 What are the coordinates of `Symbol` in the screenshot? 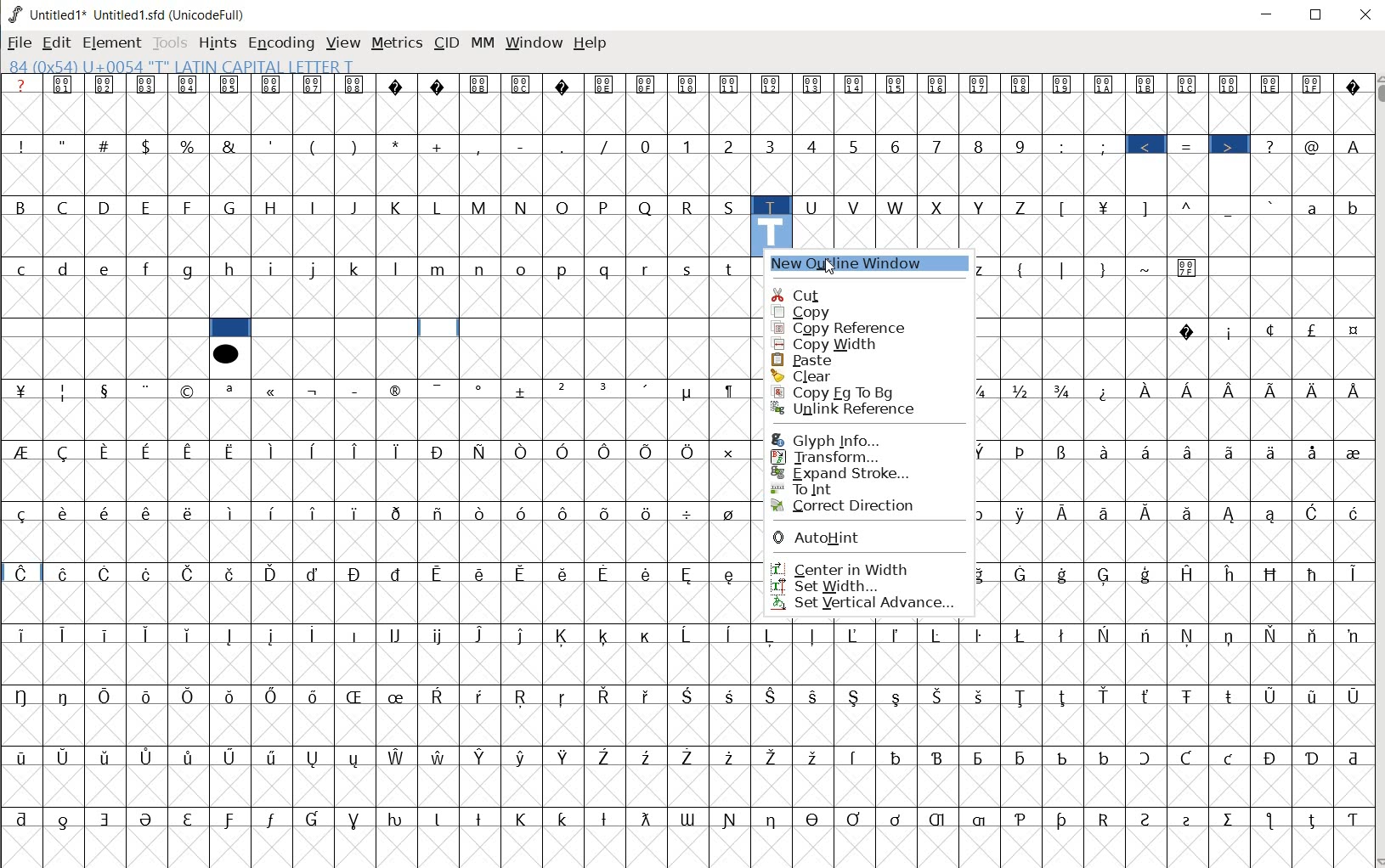 It's located at (730, 636).